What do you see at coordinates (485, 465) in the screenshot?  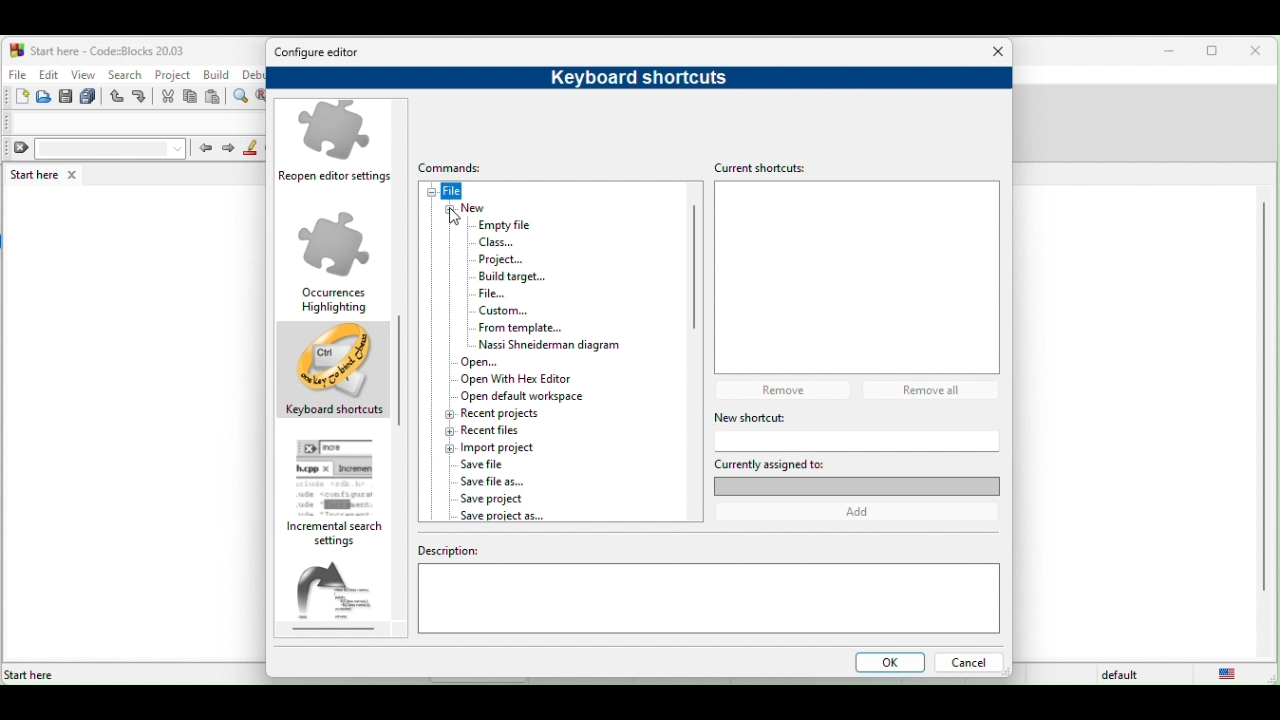 I see `save file` at bounding box center [485, 465].